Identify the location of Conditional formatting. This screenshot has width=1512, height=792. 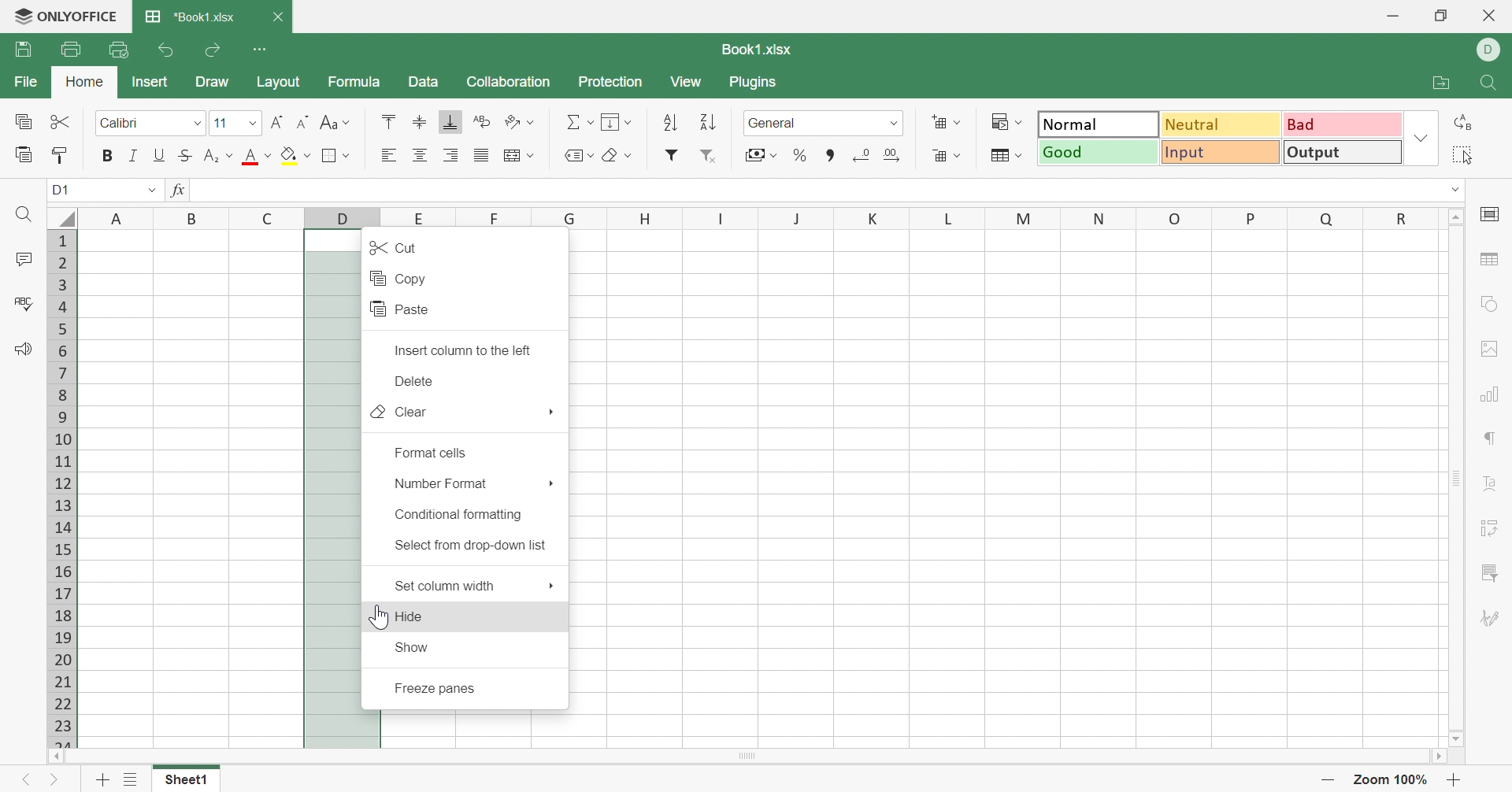
(459, 514).